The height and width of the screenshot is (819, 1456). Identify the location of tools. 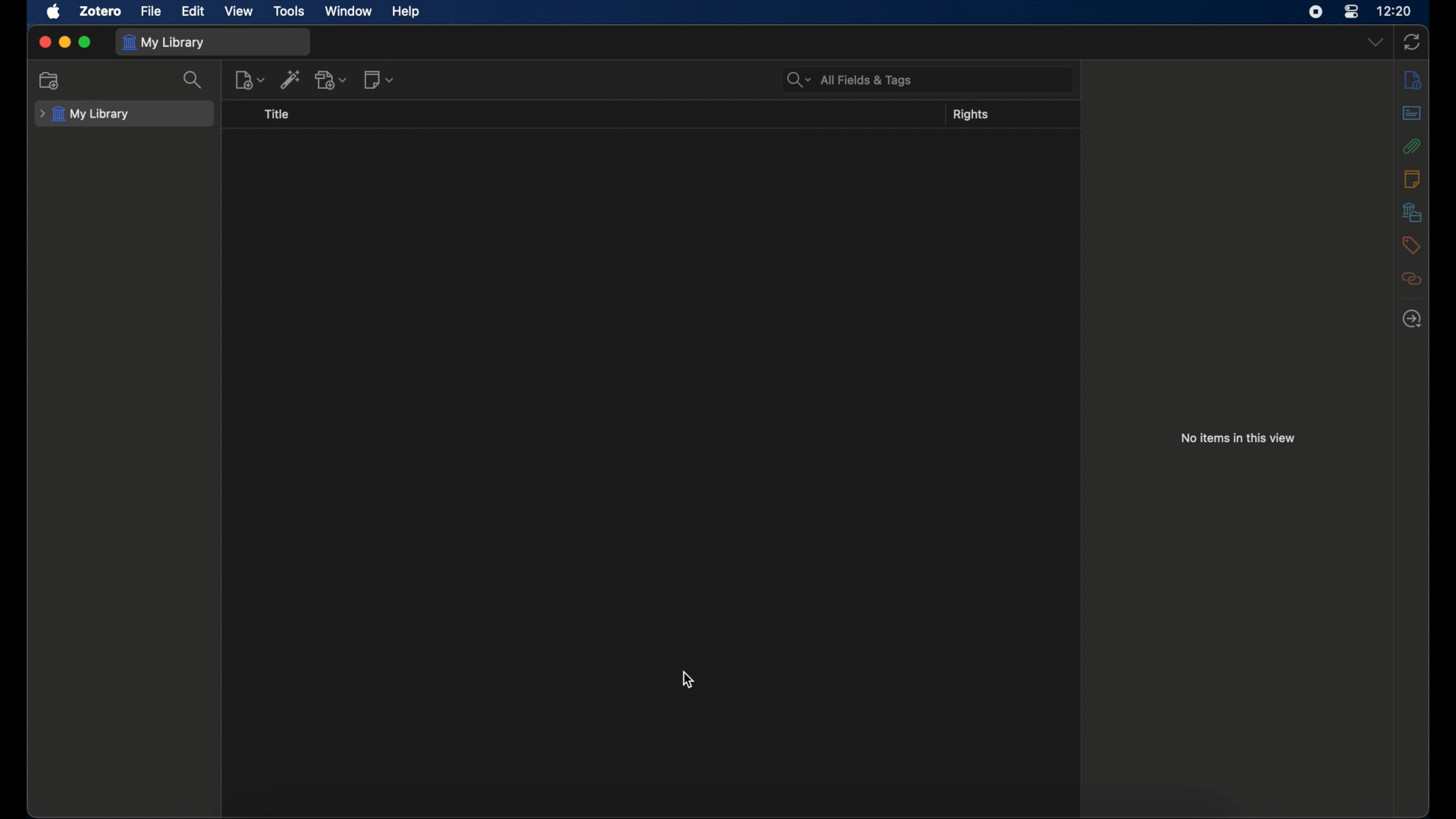
(287, 11).